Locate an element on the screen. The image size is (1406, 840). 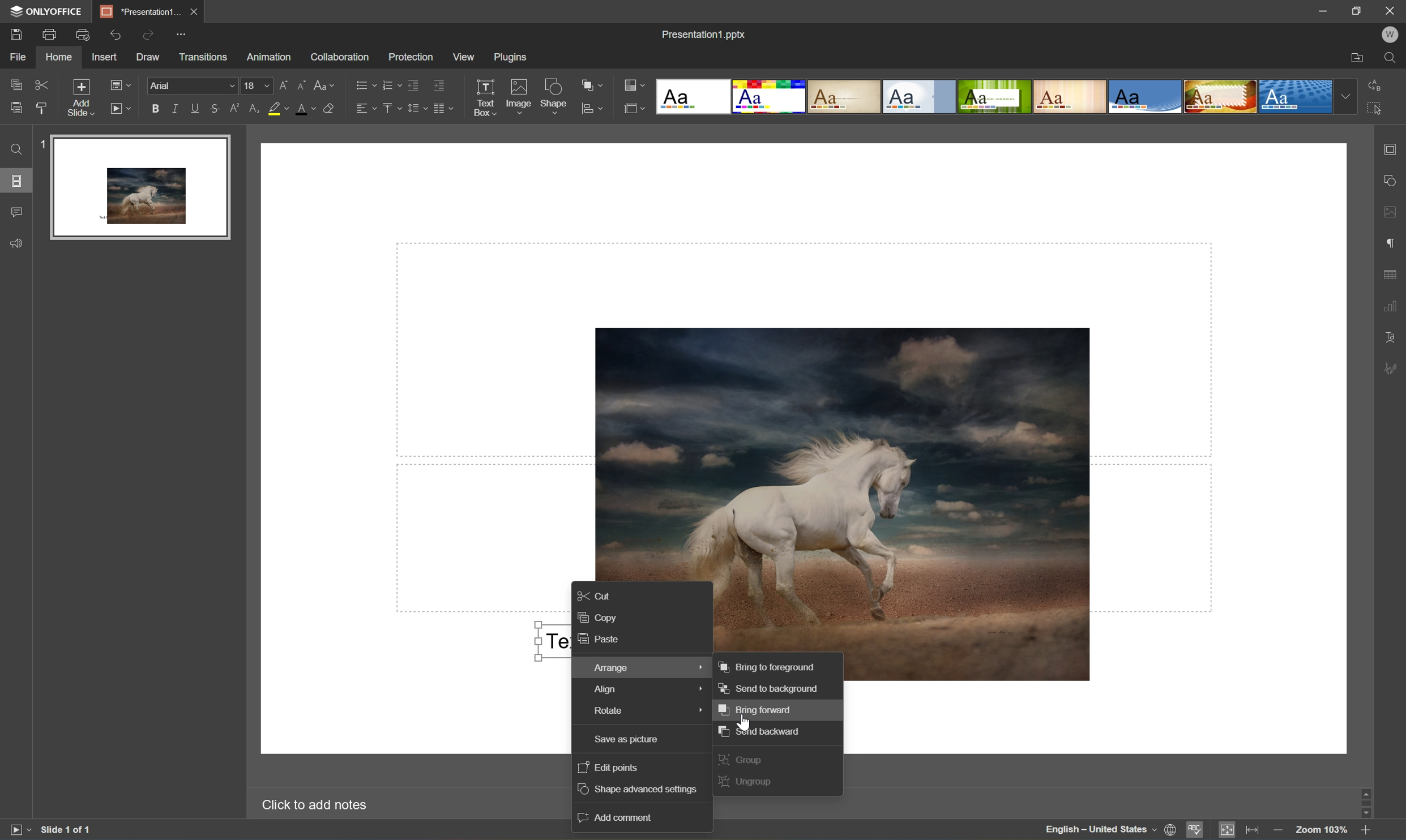
Increase indent is located at coordinates (441, 82).